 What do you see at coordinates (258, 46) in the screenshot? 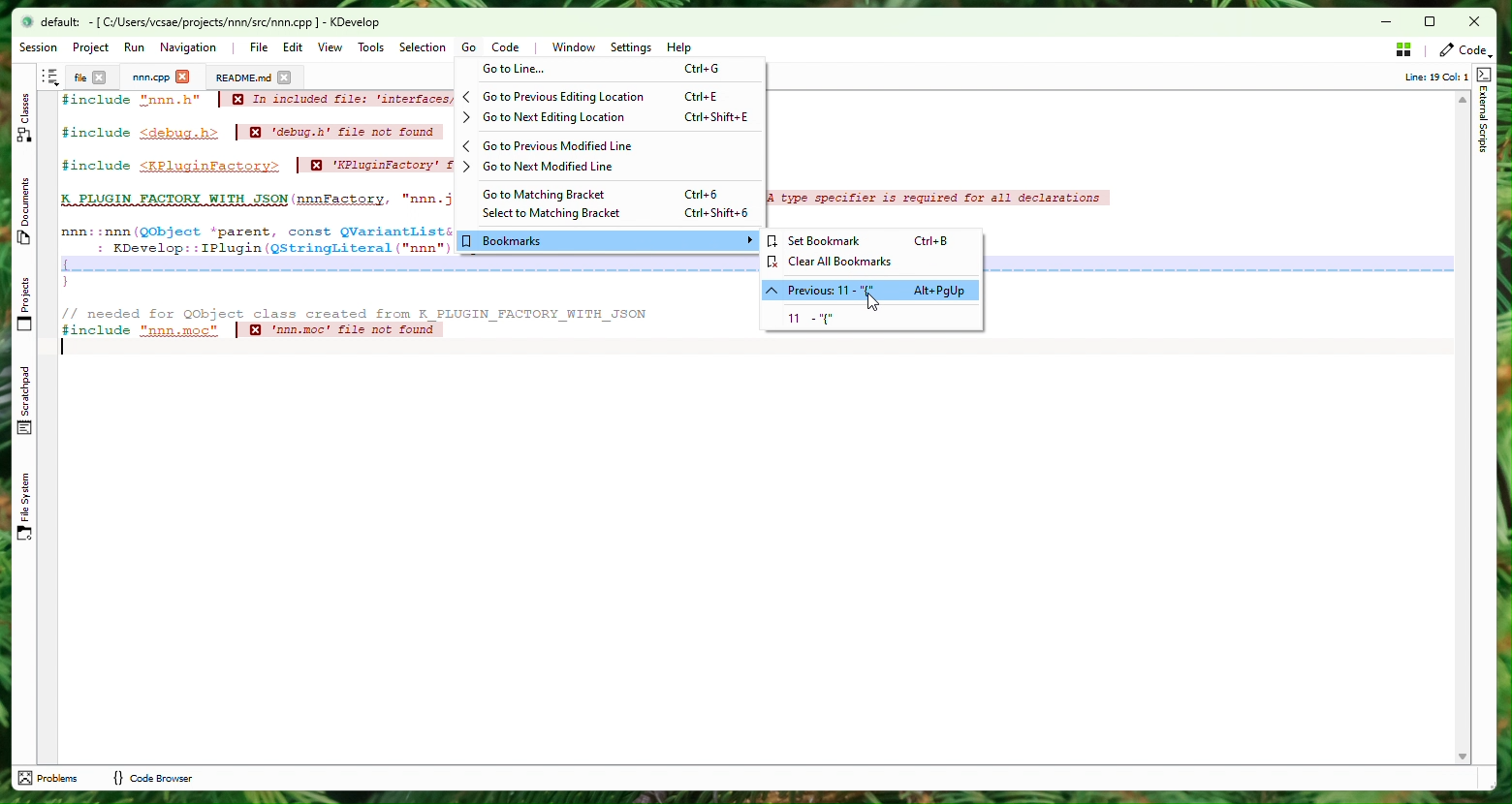
I see `File` at bounding box center [258, 46].